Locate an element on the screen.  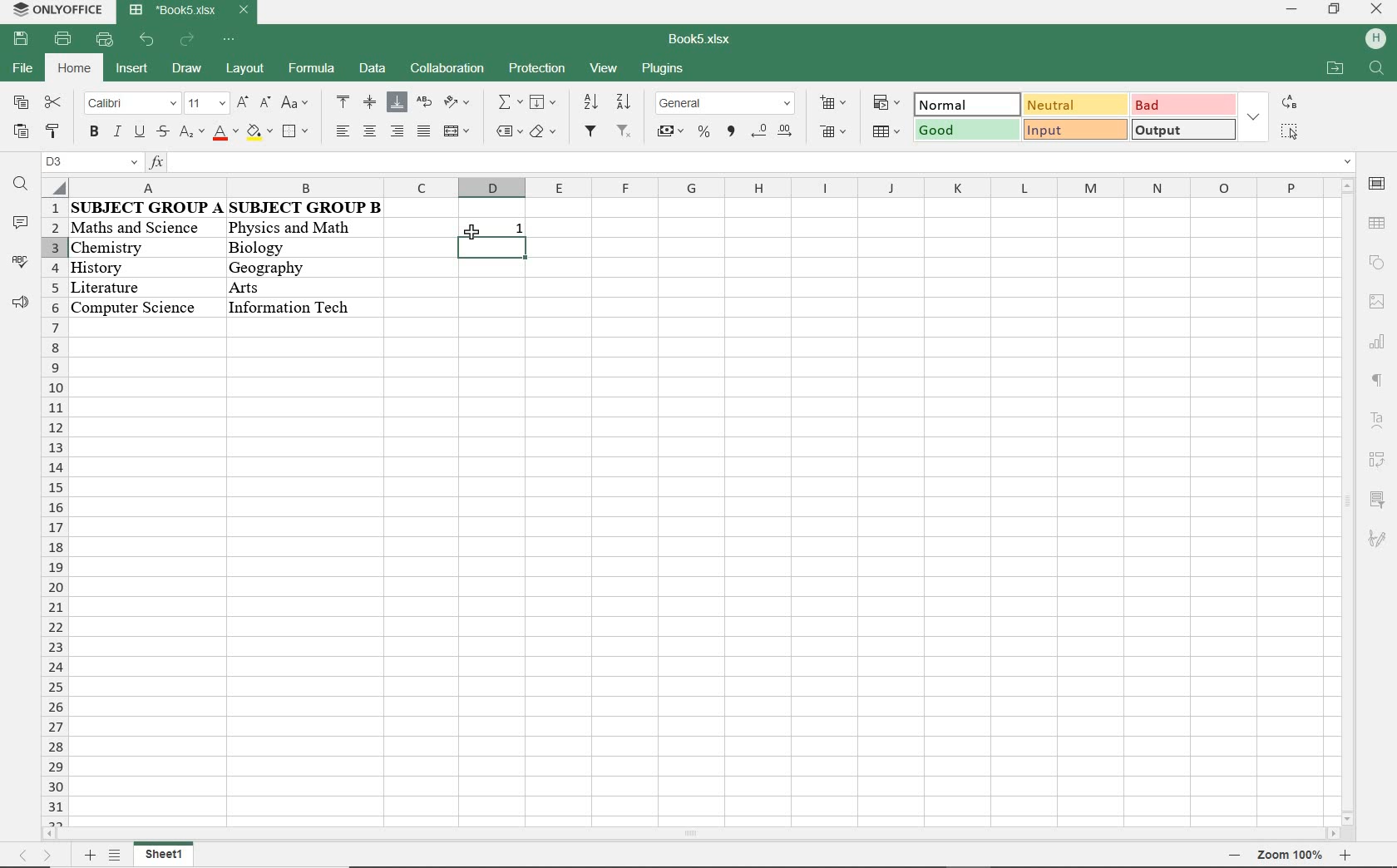
redo is located at coordinates (188, 42).